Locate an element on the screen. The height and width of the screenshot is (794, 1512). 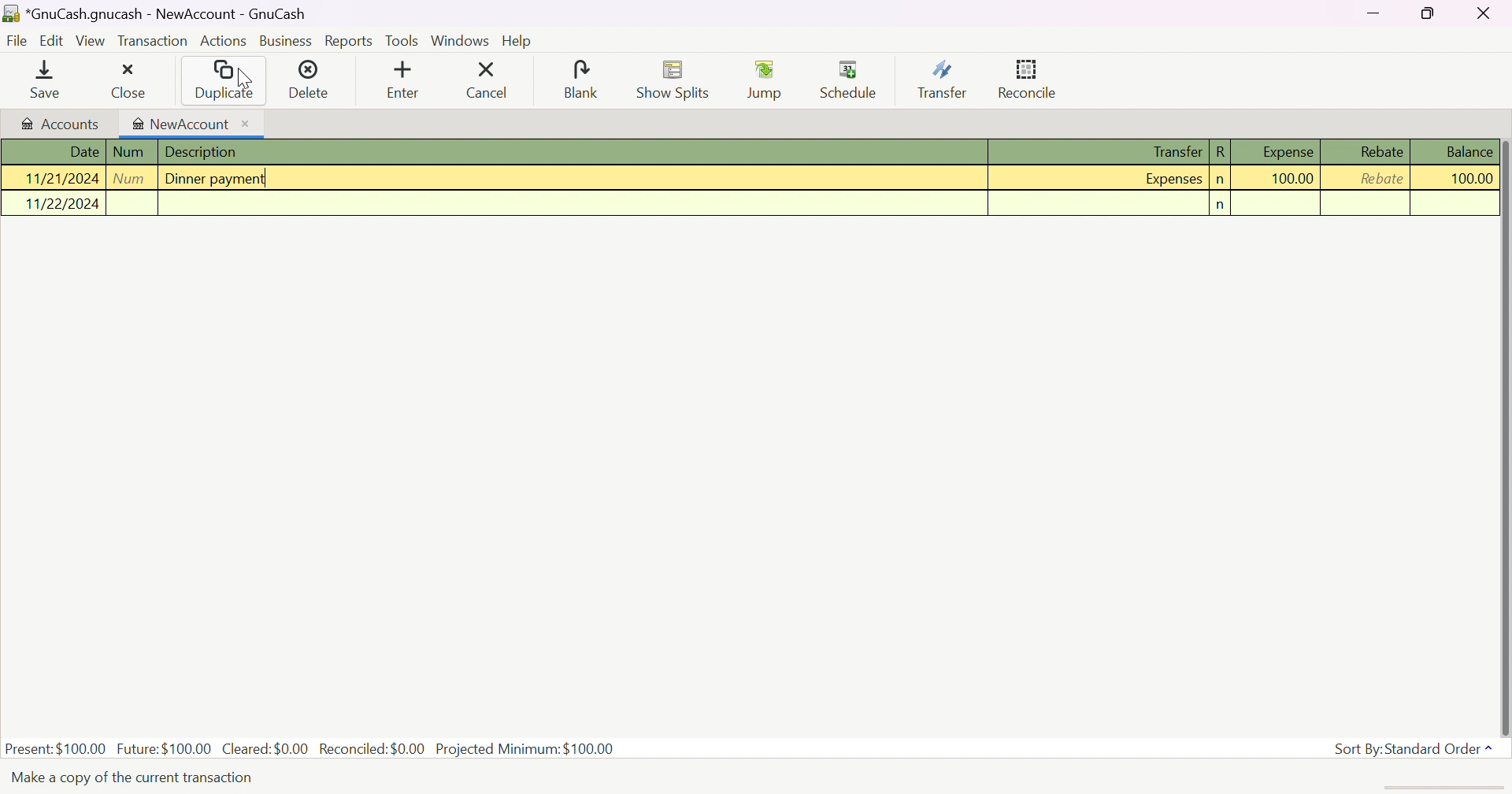
Num is located at coordinates (132, 177).